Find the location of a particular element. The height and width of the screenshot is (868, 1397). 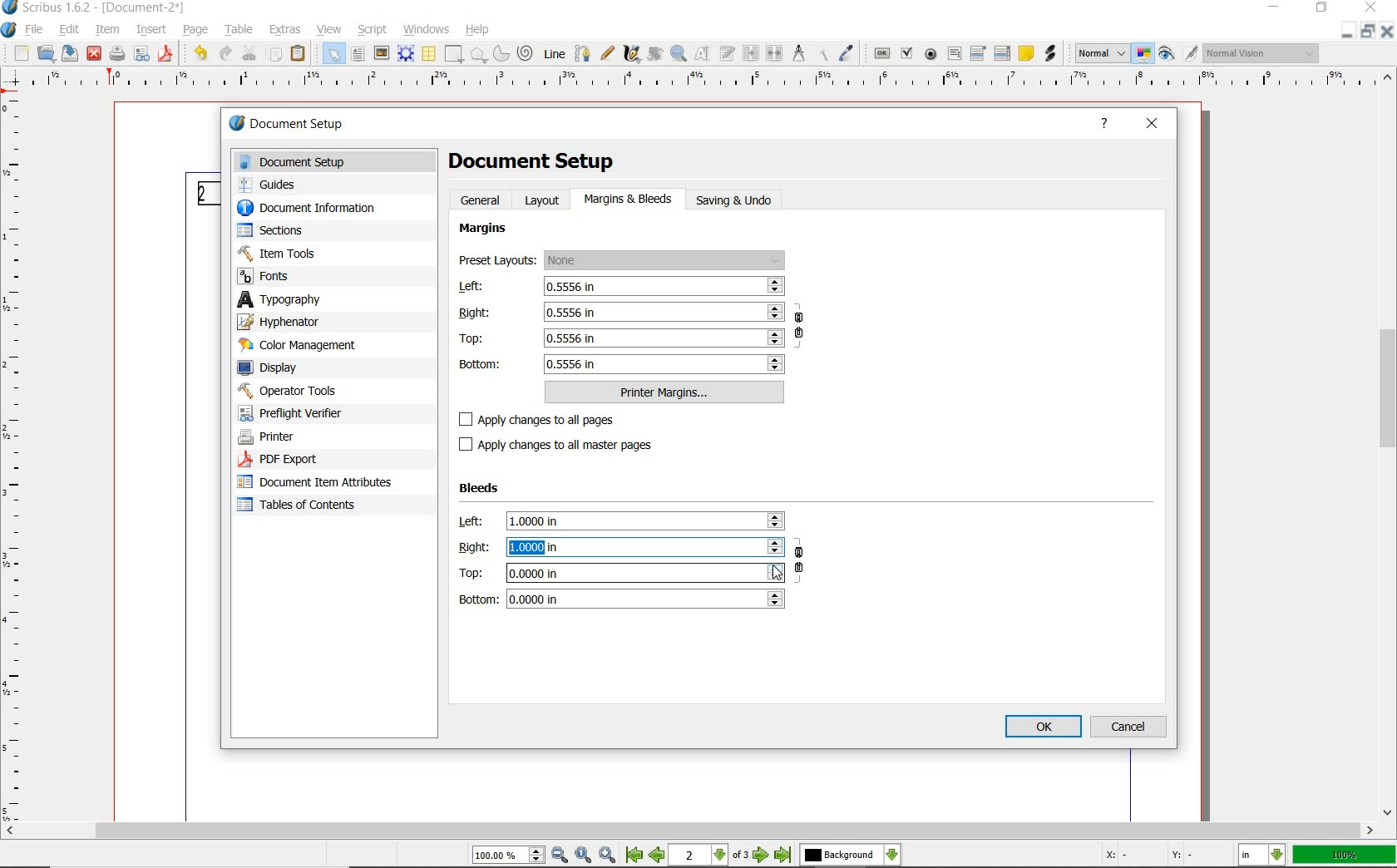

ensure all the bleeds have the same value is located at coordinates (800, 565).